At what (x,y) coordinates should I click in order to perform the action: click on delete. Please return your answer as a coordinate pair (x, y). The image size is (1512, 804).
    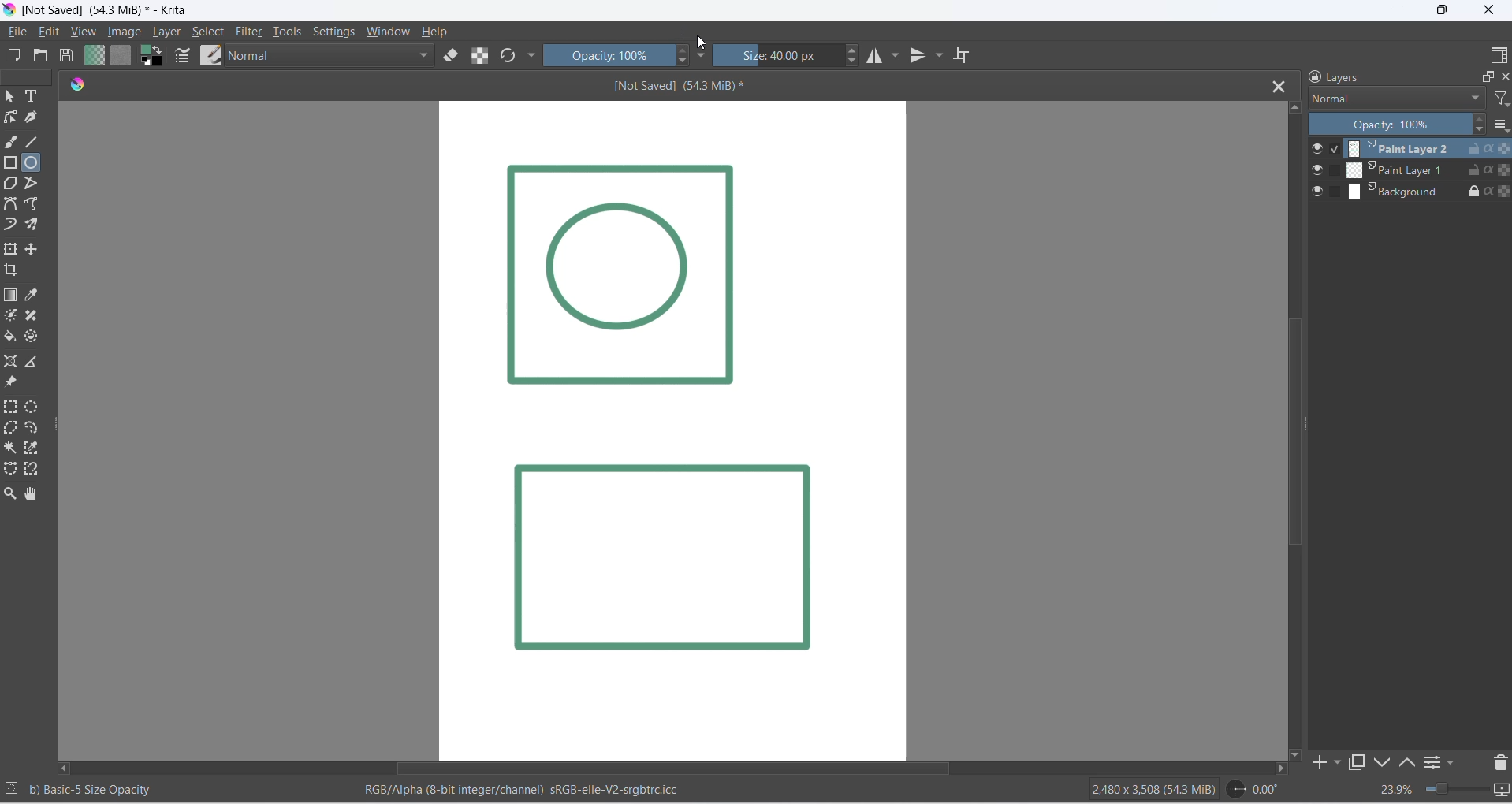
    Looking at the image, I should click on (1503, 761).